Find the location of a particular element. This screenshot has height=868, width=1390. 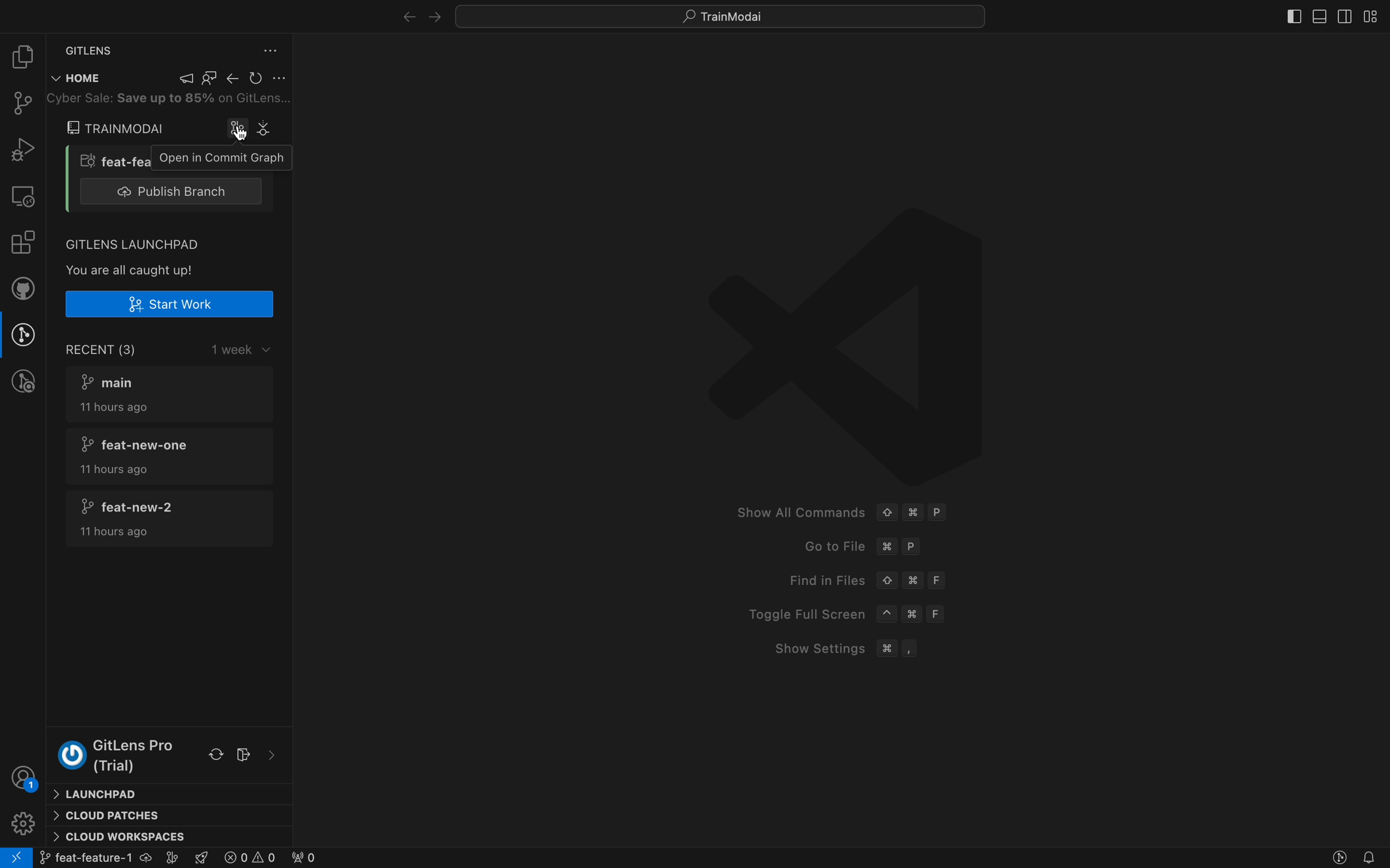

gitlens inspect is located at coordinates (25, 382).